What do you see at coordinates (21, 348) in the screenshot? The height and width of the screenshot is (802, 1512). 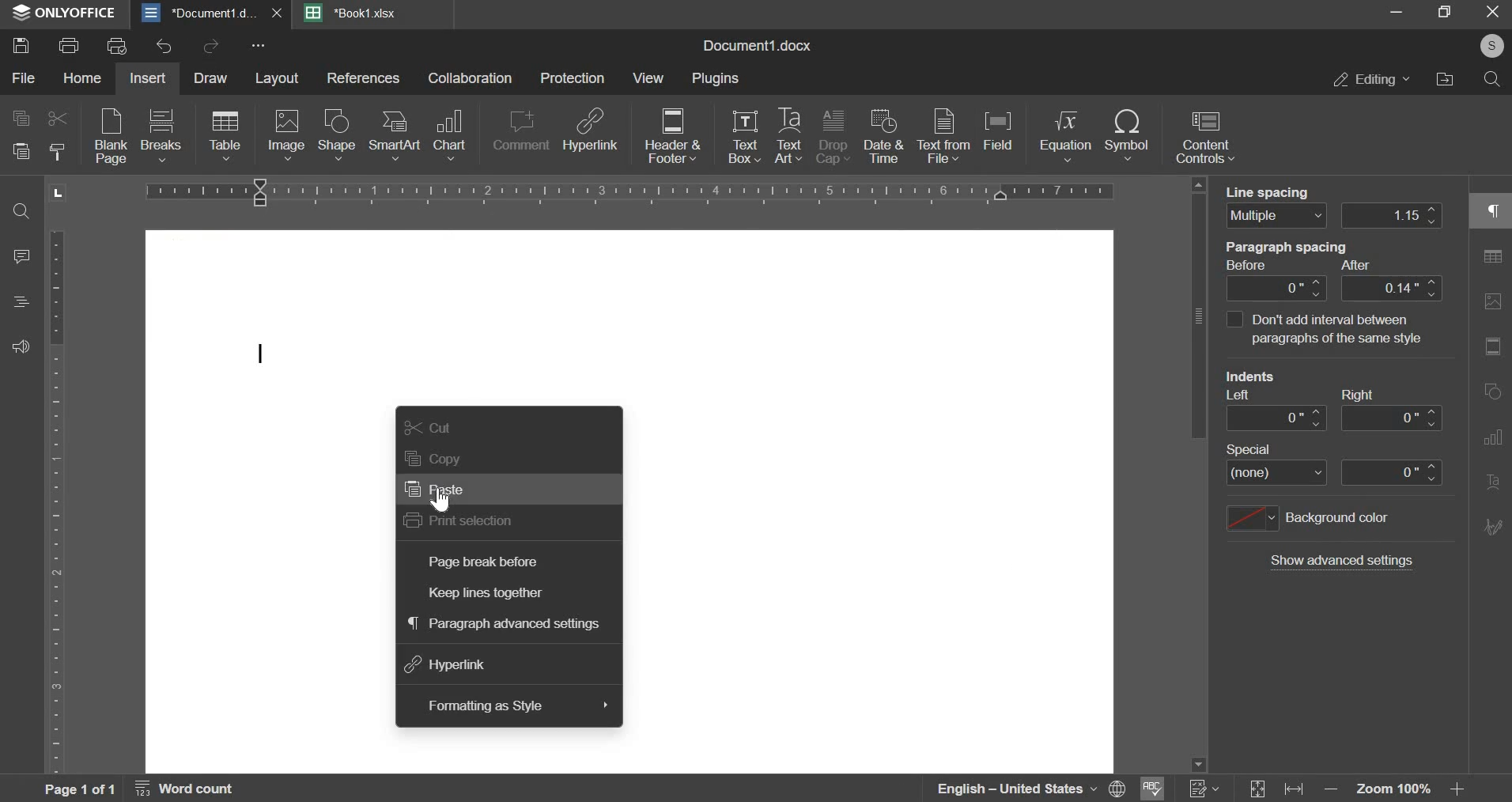 I see `feedback` at bounding box center [21, 348].